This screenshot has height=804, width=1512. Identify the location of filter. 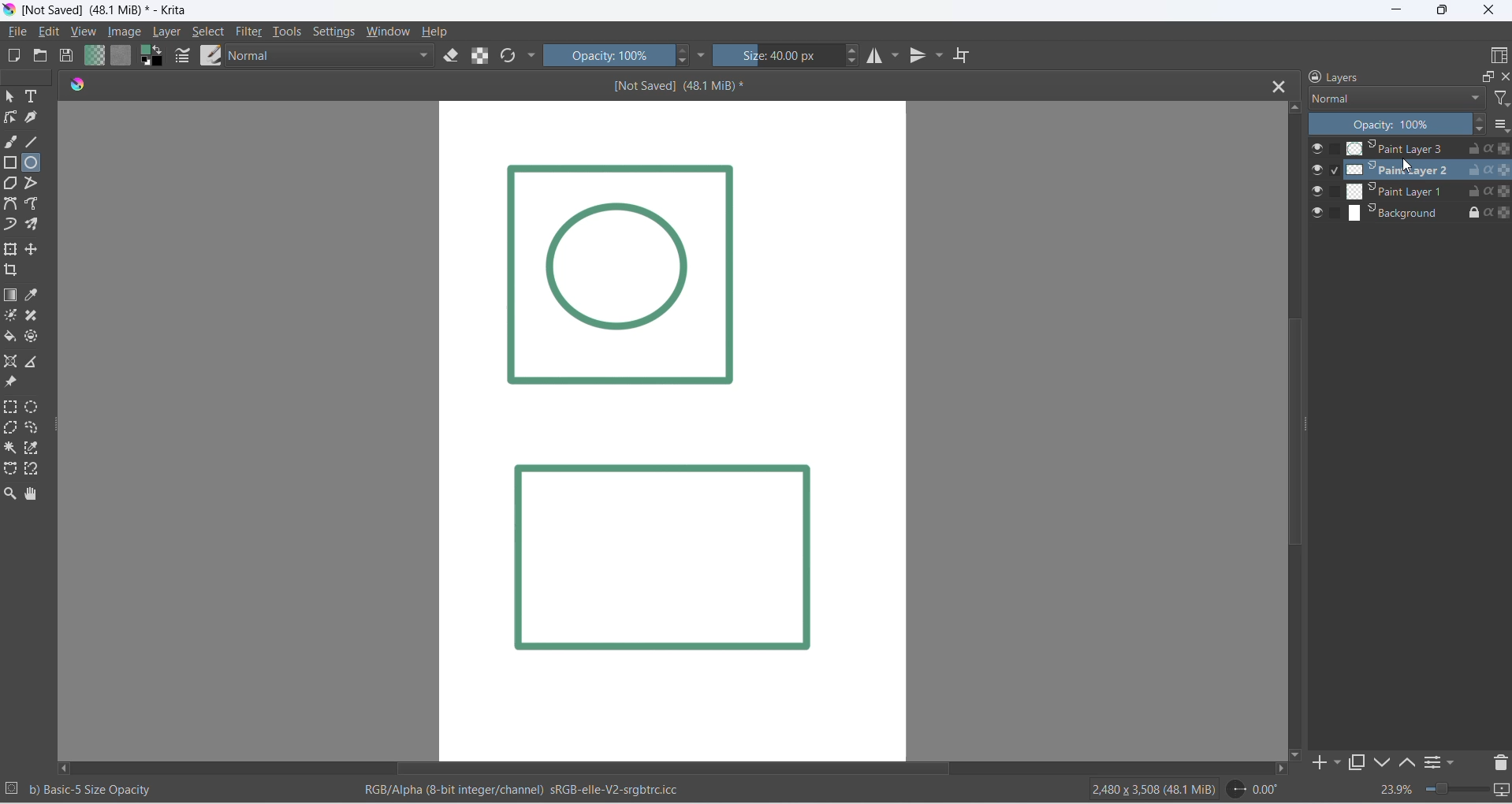
(246, 33).